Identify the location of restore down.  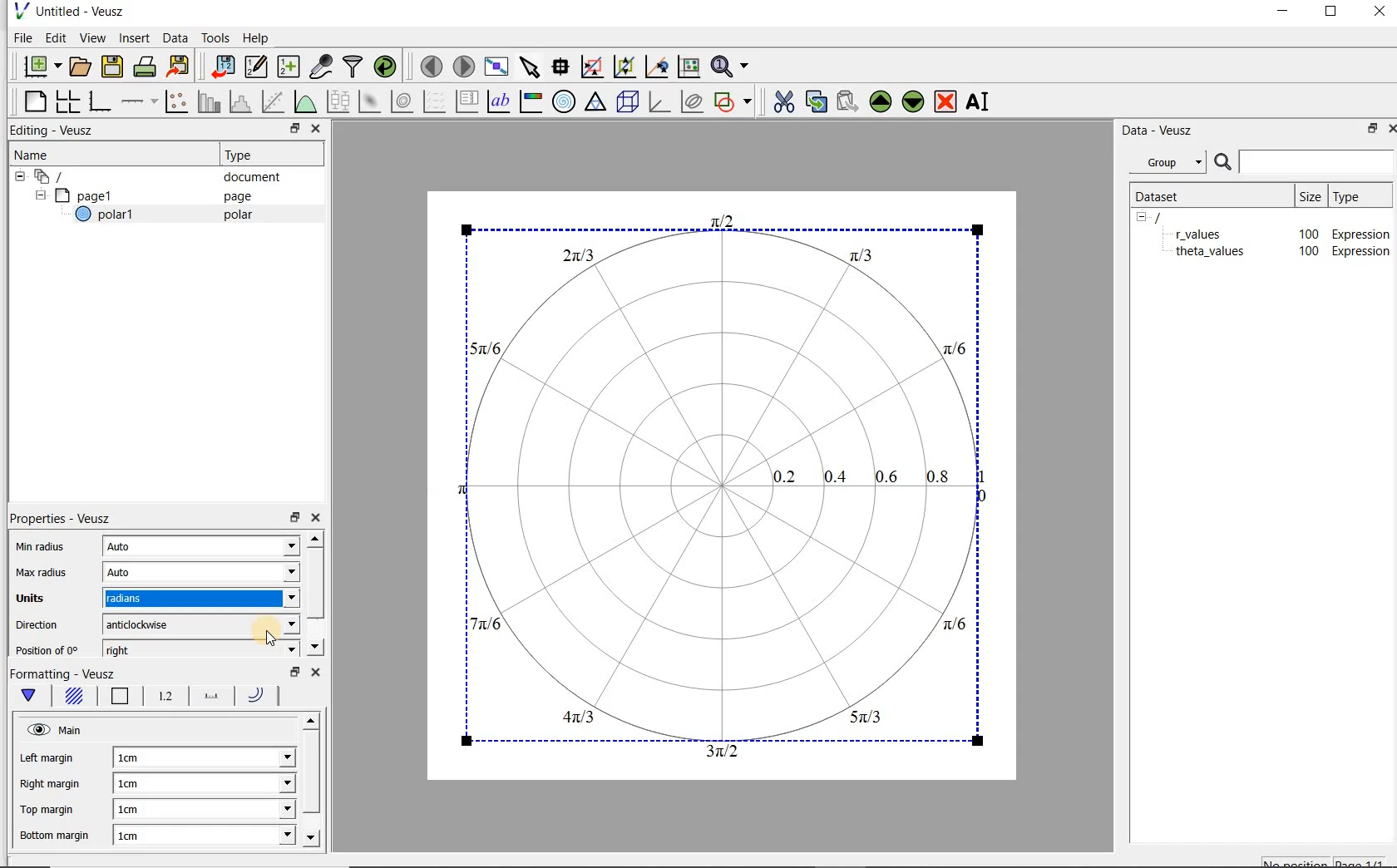
(289, 515).